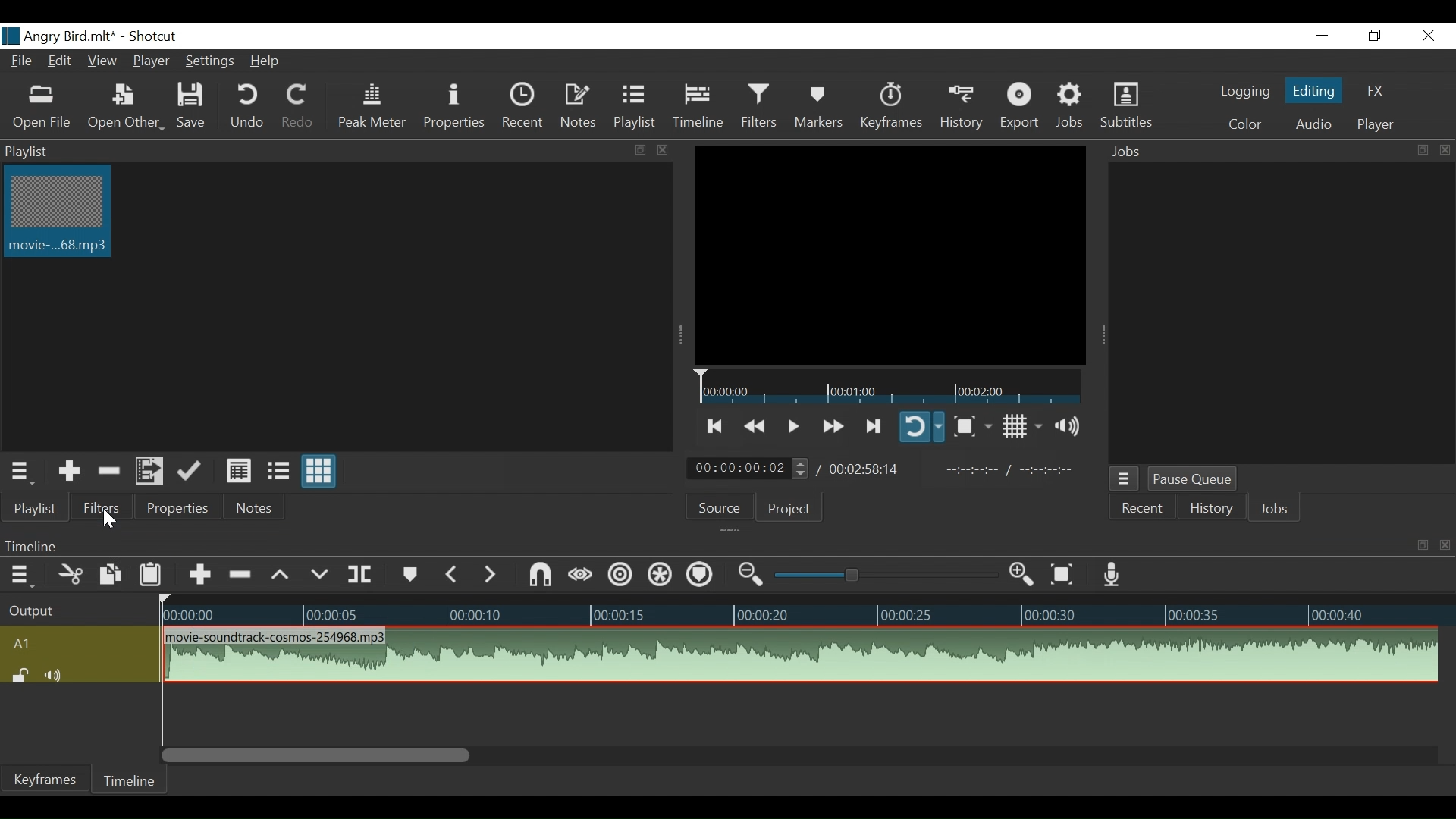 The height and width of the screenshot is (819, 1456). What do you see at coordinates (1421, 546) in the screenshot?
I see `resize` at bounding box center [1421, 546].